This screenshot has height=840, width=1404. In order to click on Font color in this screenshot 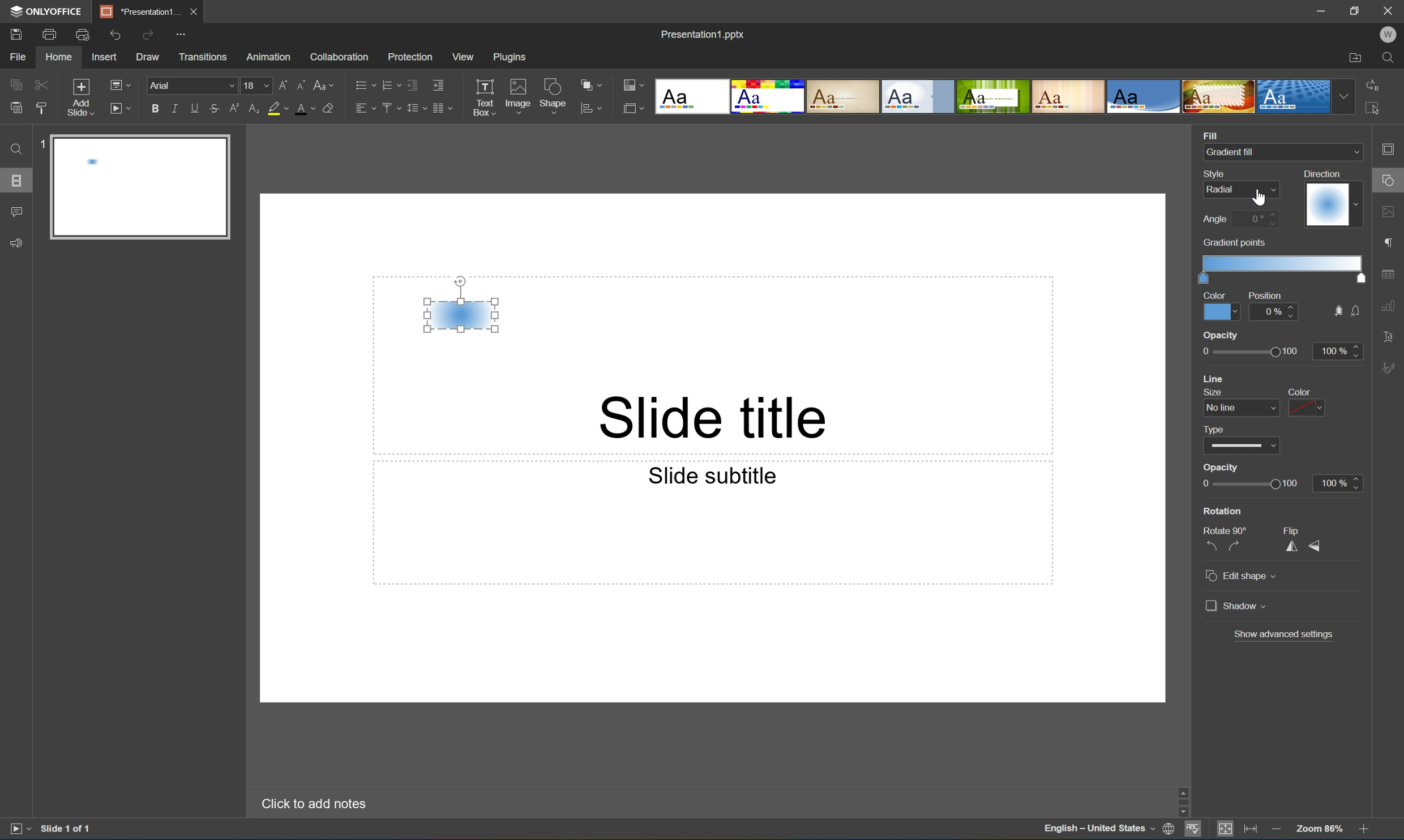, I will do `click(303, 108)`.